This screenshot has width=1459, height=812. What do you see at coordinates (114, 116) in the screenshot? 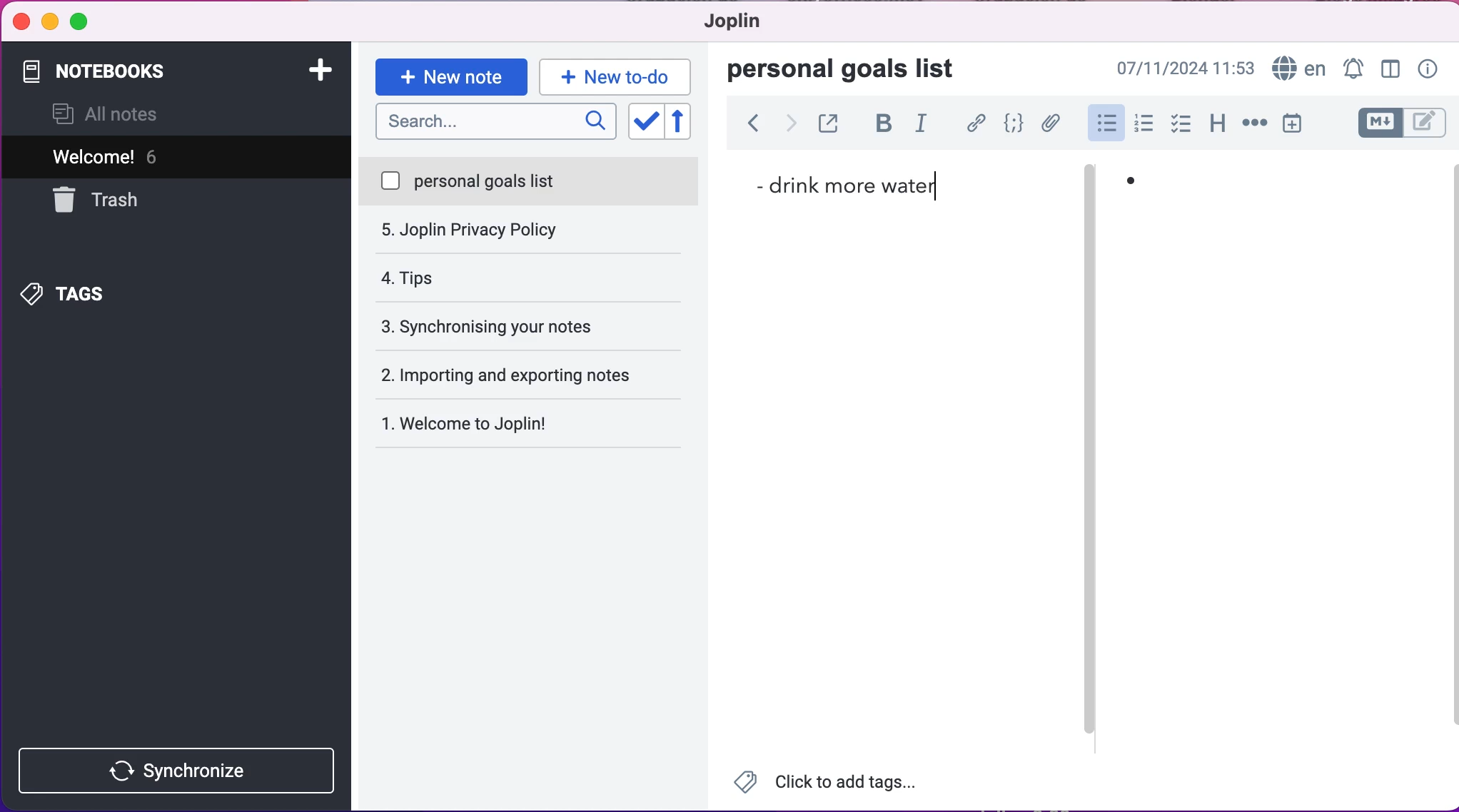
I see `all notes` at bounding box center [114, 116].